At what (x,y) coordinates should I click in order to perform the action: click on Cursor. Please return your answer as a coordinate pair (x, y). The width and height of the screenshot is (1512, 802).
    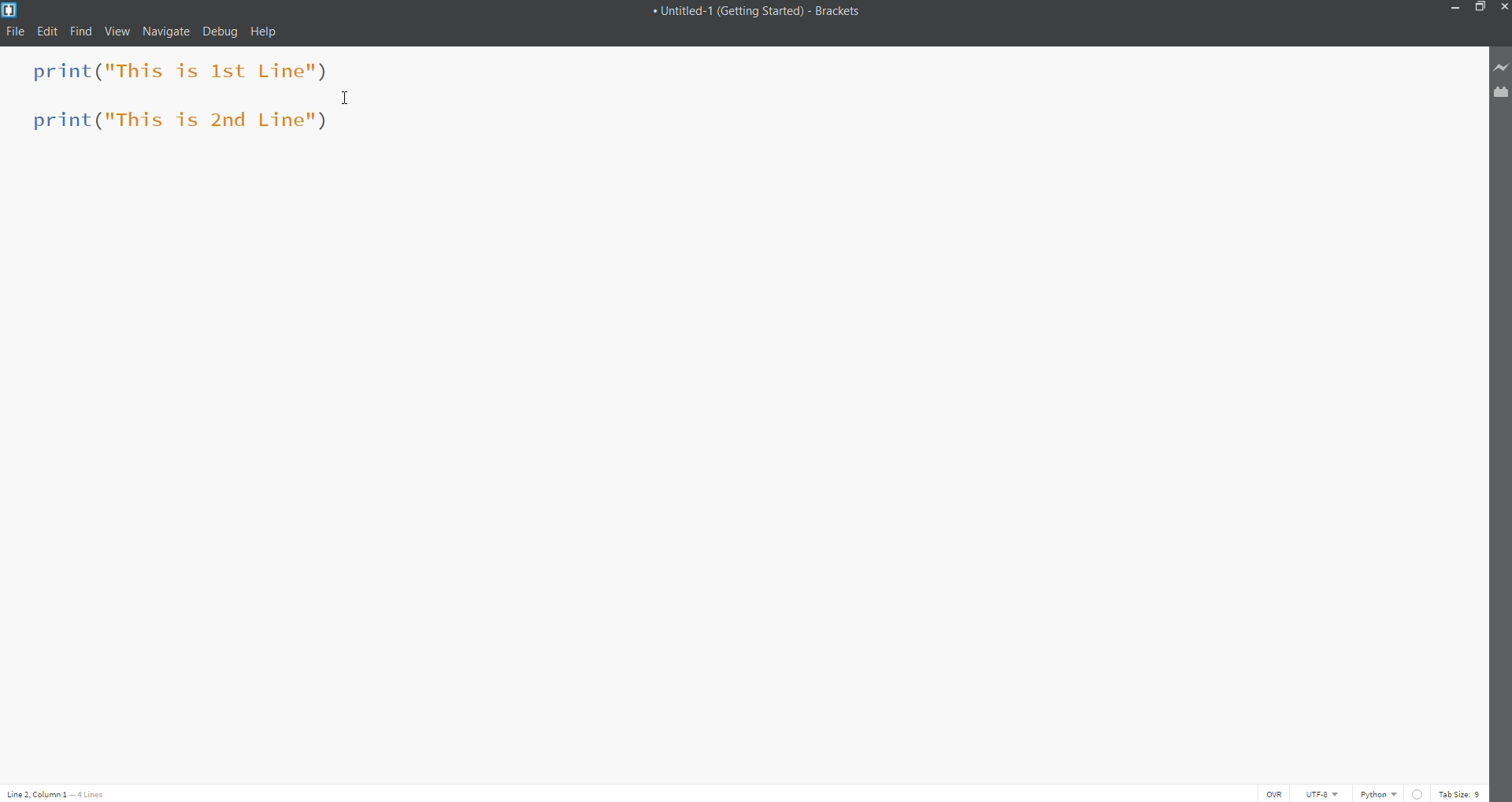
    Looking at the image, I should click on (349, 100).